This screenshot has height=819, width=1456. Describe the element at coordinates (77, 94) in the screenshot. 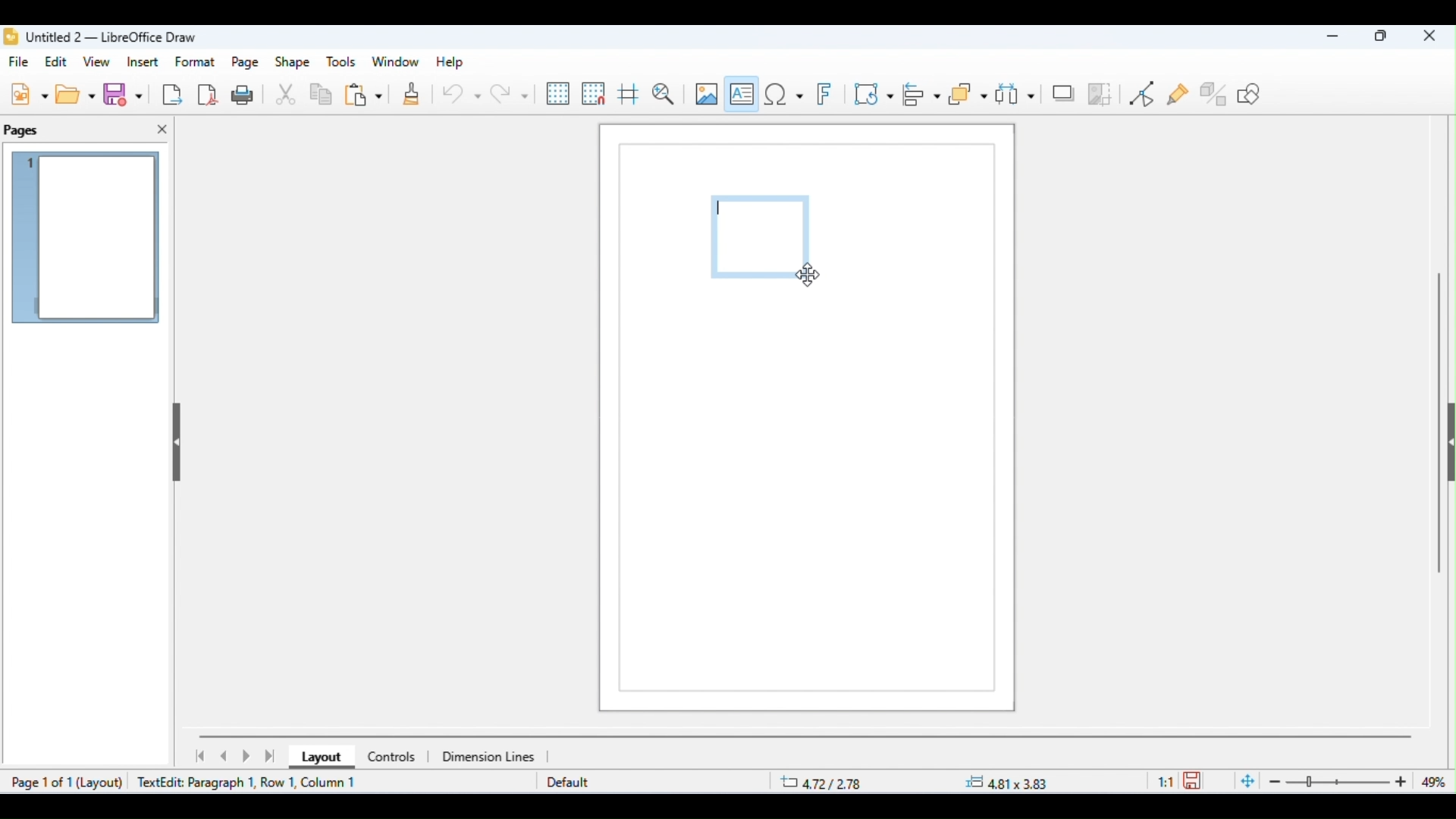

I see `open` at that location.